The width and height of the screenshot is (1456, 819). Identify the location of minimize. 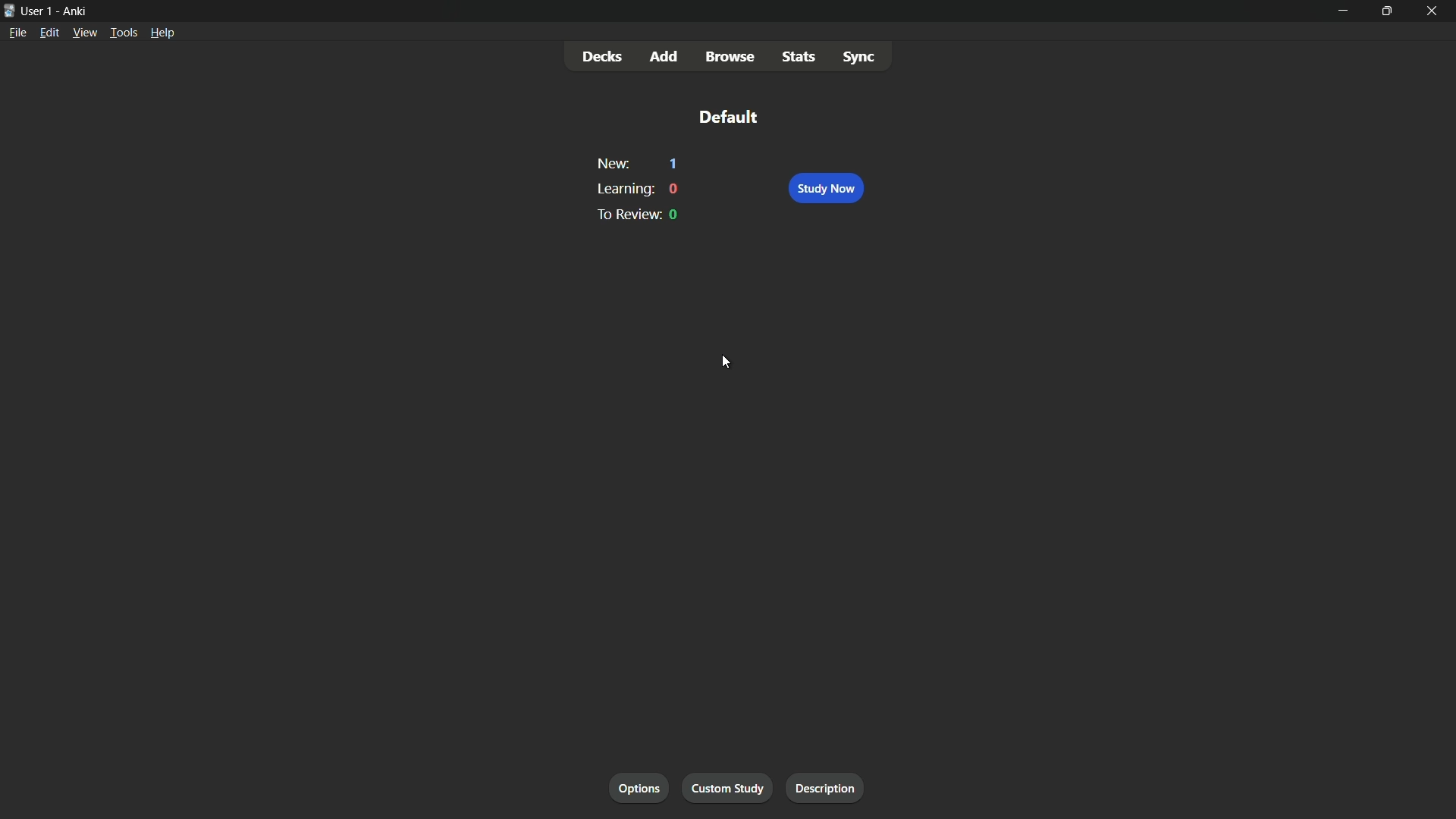
(1341, 11).